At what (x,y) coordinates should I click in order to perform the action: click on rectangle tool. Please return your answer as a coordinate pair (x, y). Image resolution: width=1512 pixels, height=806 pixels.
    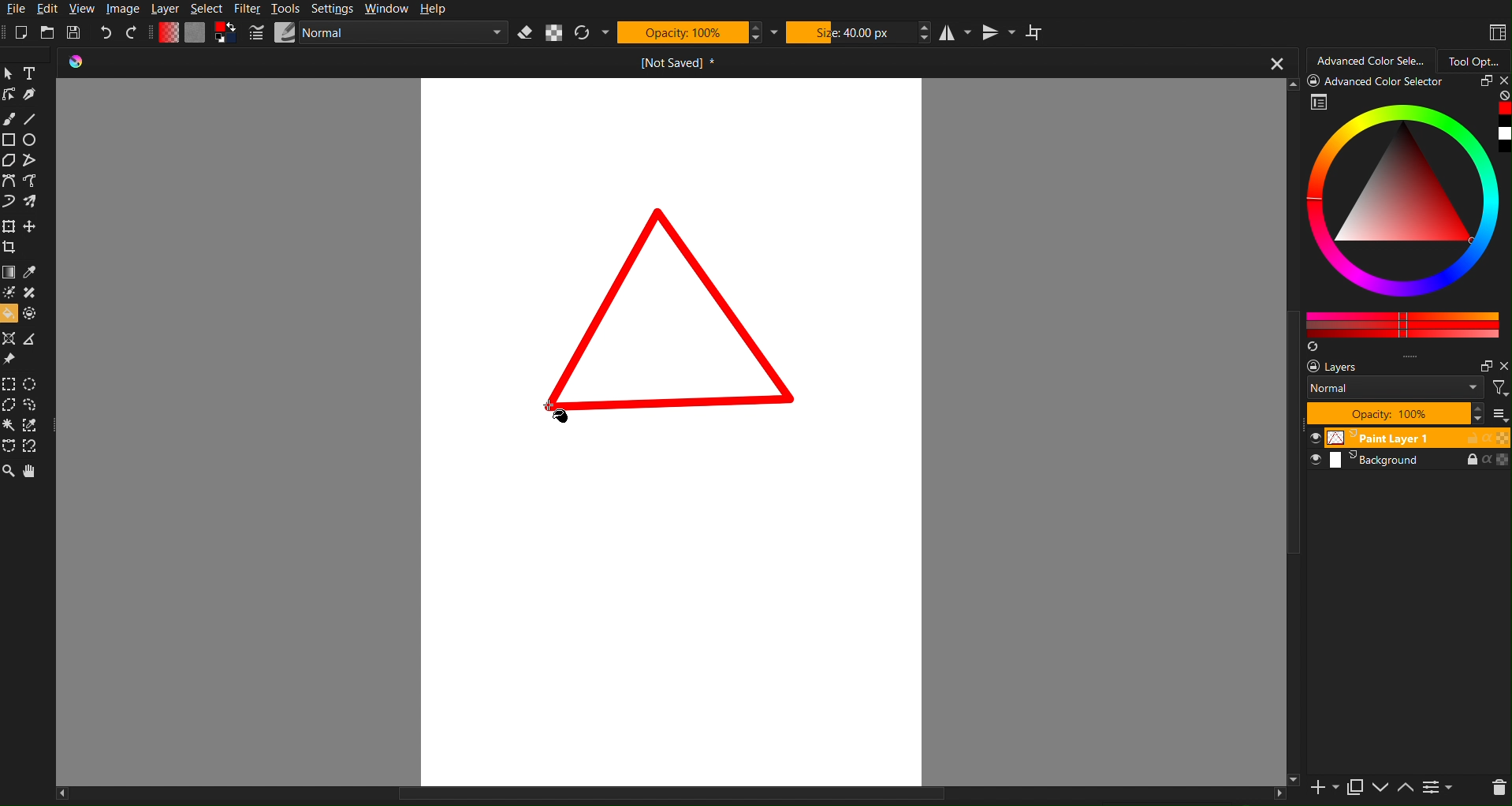
    Looking at the image, I should click on (9, 140).